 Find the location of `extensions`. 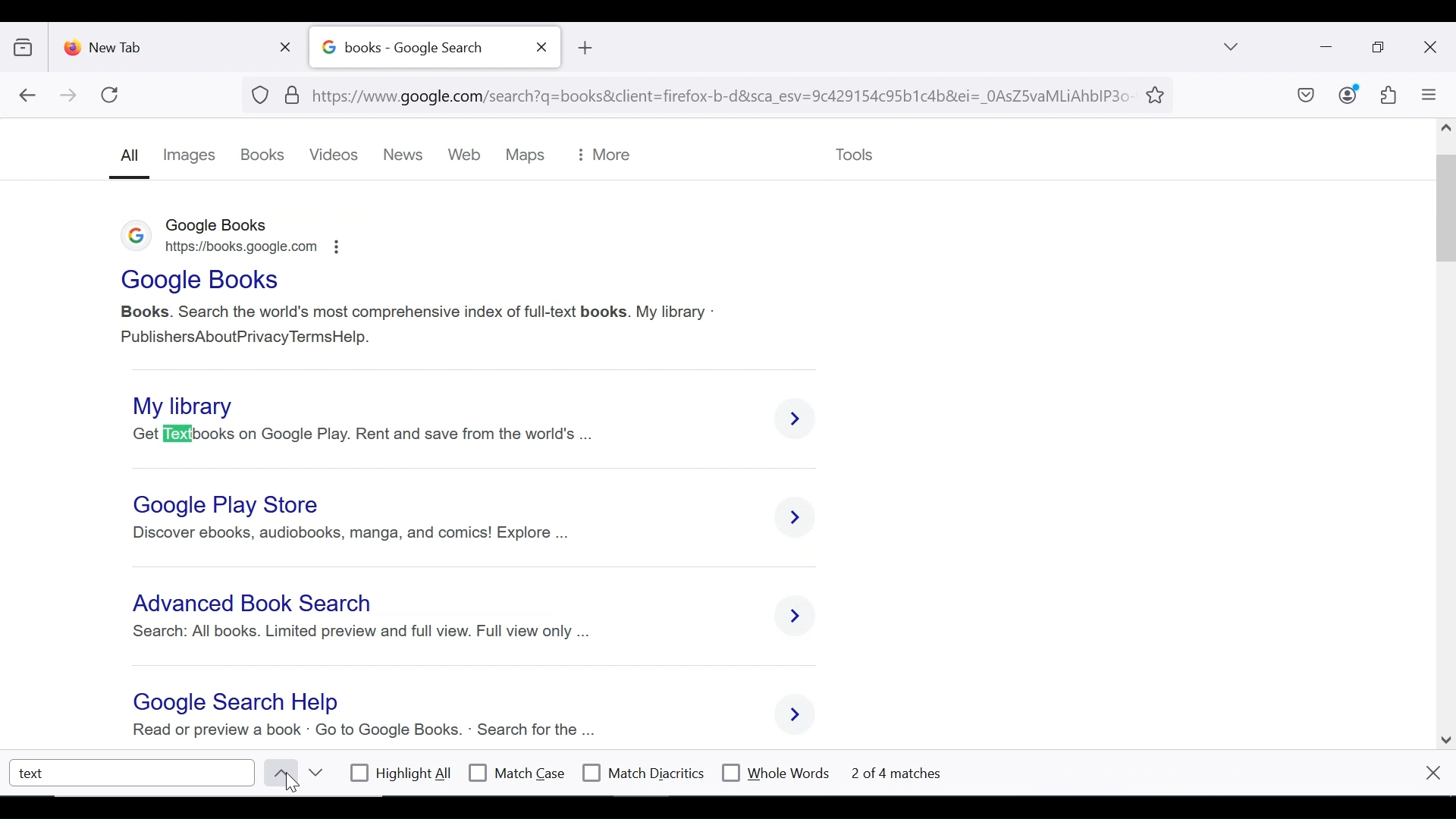

extensions is located at coordinates (1387, 96).